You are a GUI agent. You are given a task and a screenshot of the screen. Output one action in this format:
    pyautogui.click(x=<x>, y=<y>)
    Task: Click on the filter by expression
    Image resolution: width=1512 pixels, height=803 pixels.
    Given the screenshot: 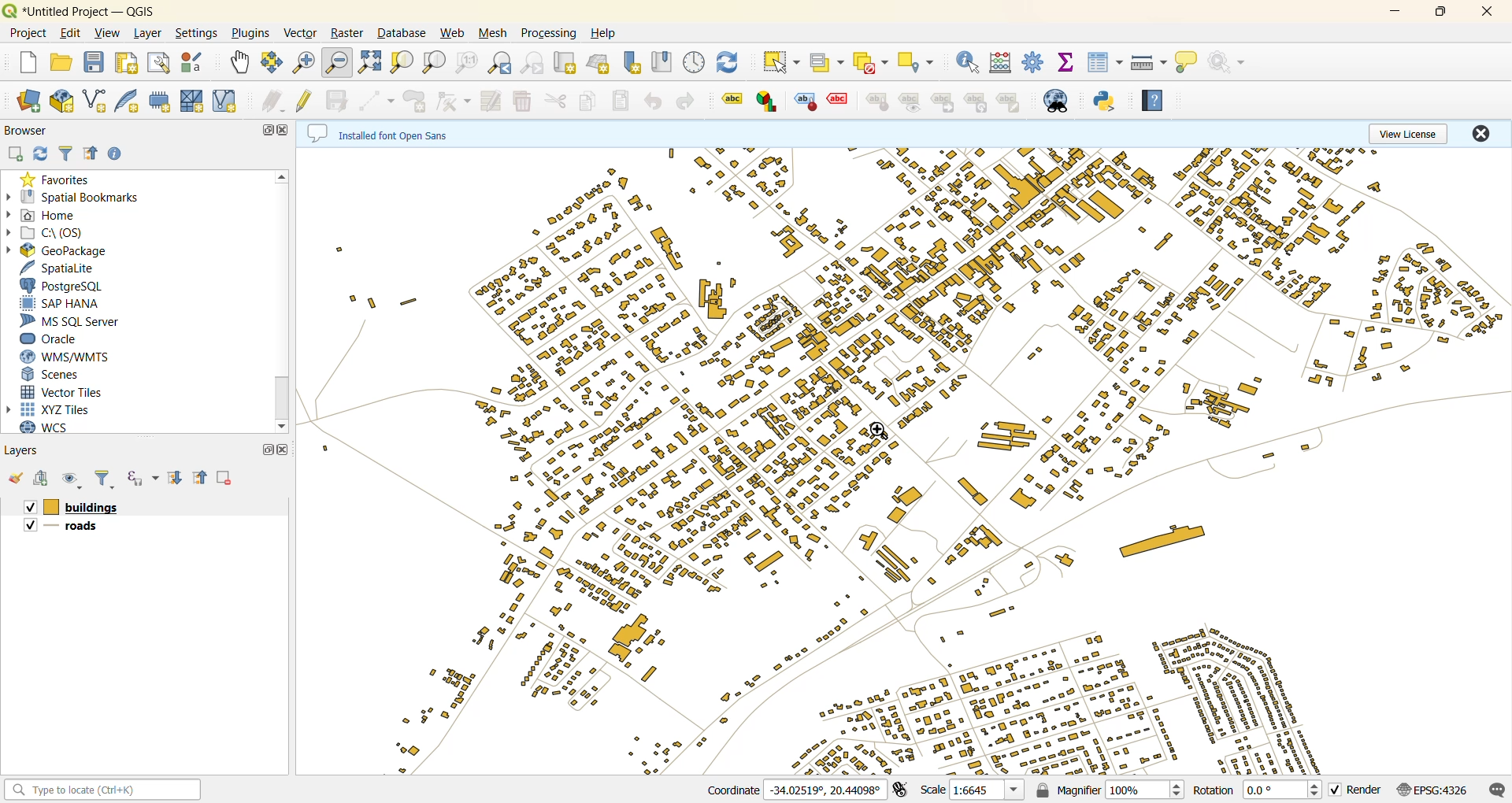 What is the action you would take?
    pyautogui.click(x=138, y=478)
    